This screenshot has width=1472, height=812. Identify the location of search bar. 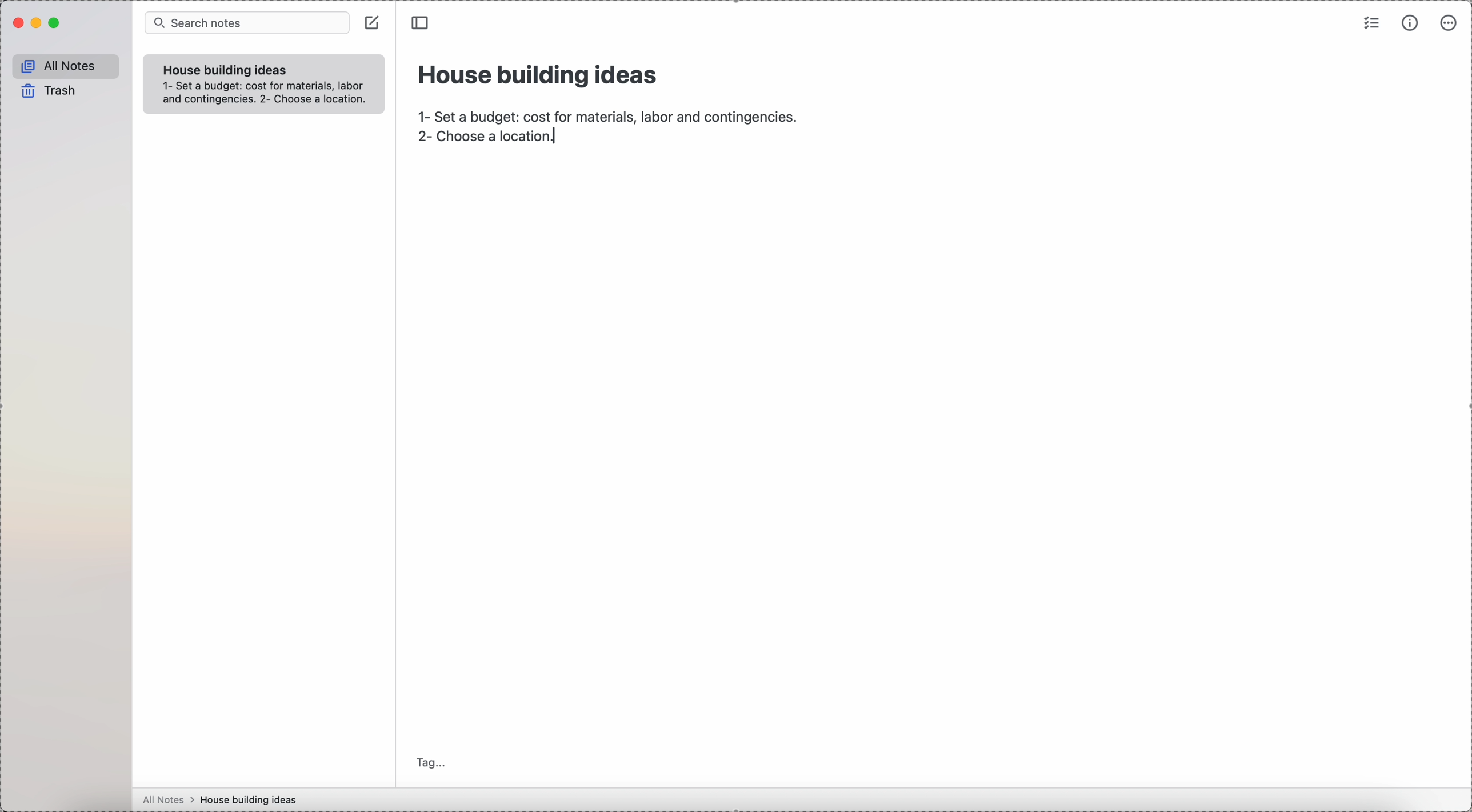
(246, 23).